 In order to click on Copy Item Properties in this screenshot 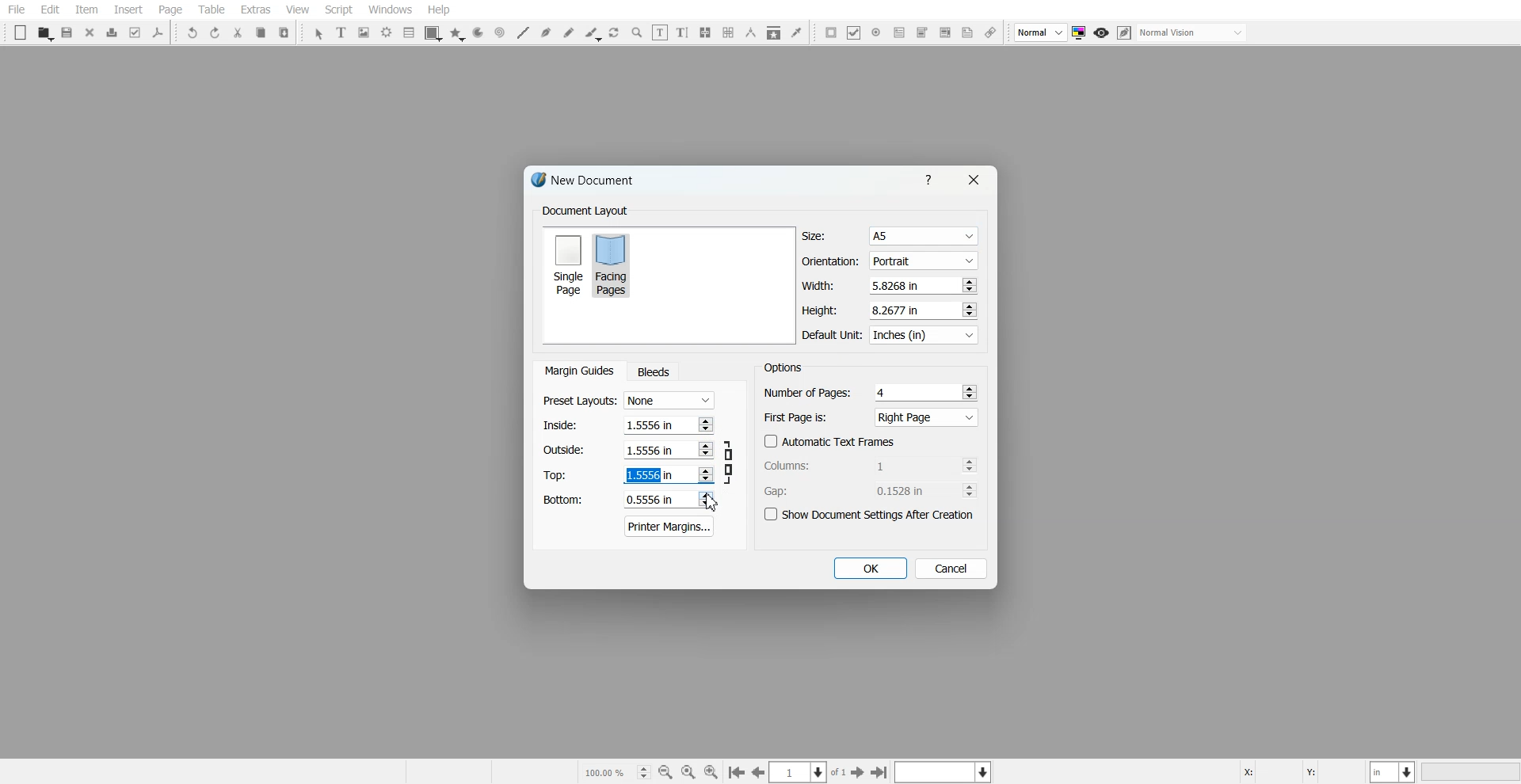, I will do `click(774, 32)`.